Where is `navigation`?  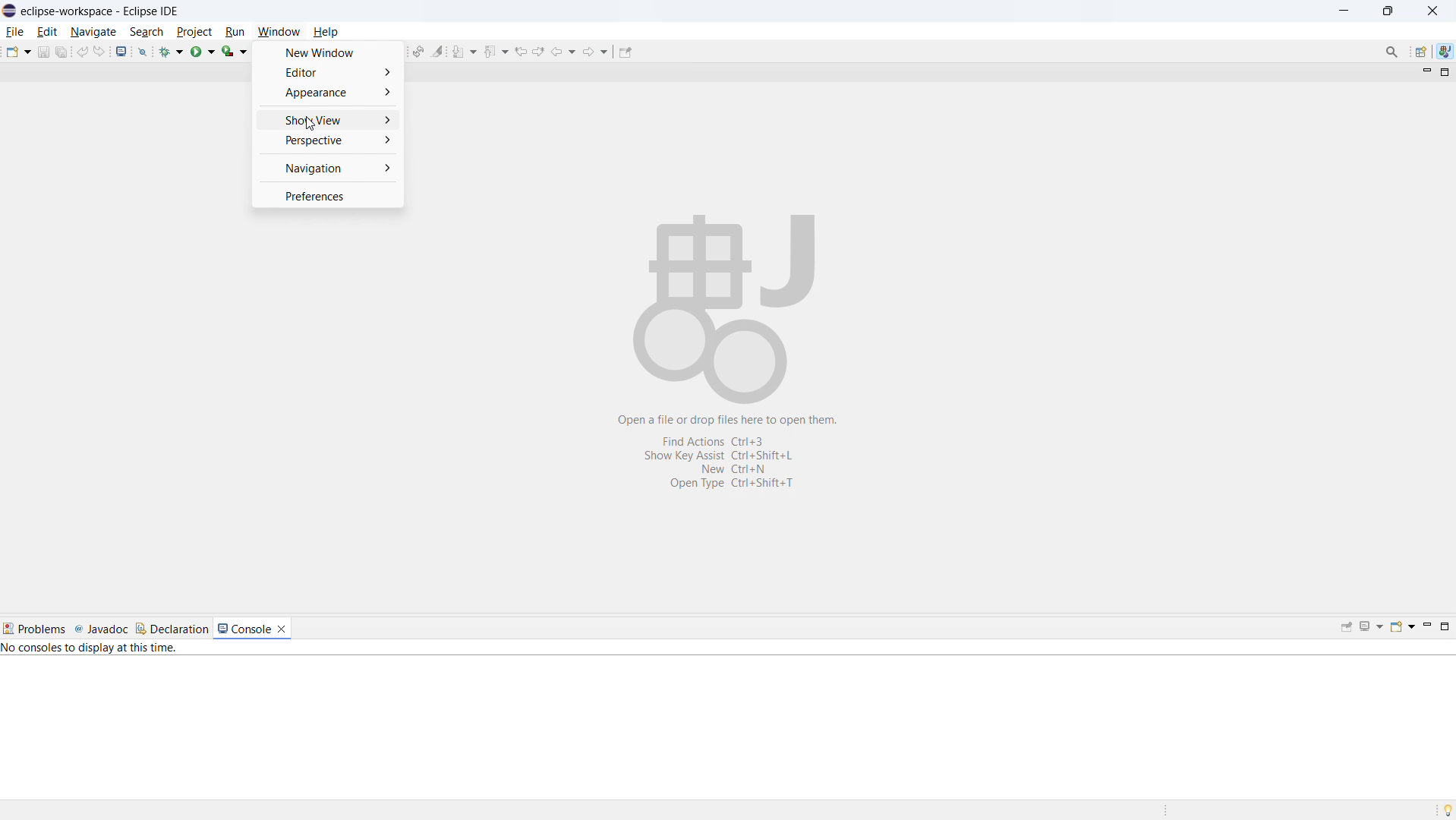 navigation is located at coordinates (327, 169).